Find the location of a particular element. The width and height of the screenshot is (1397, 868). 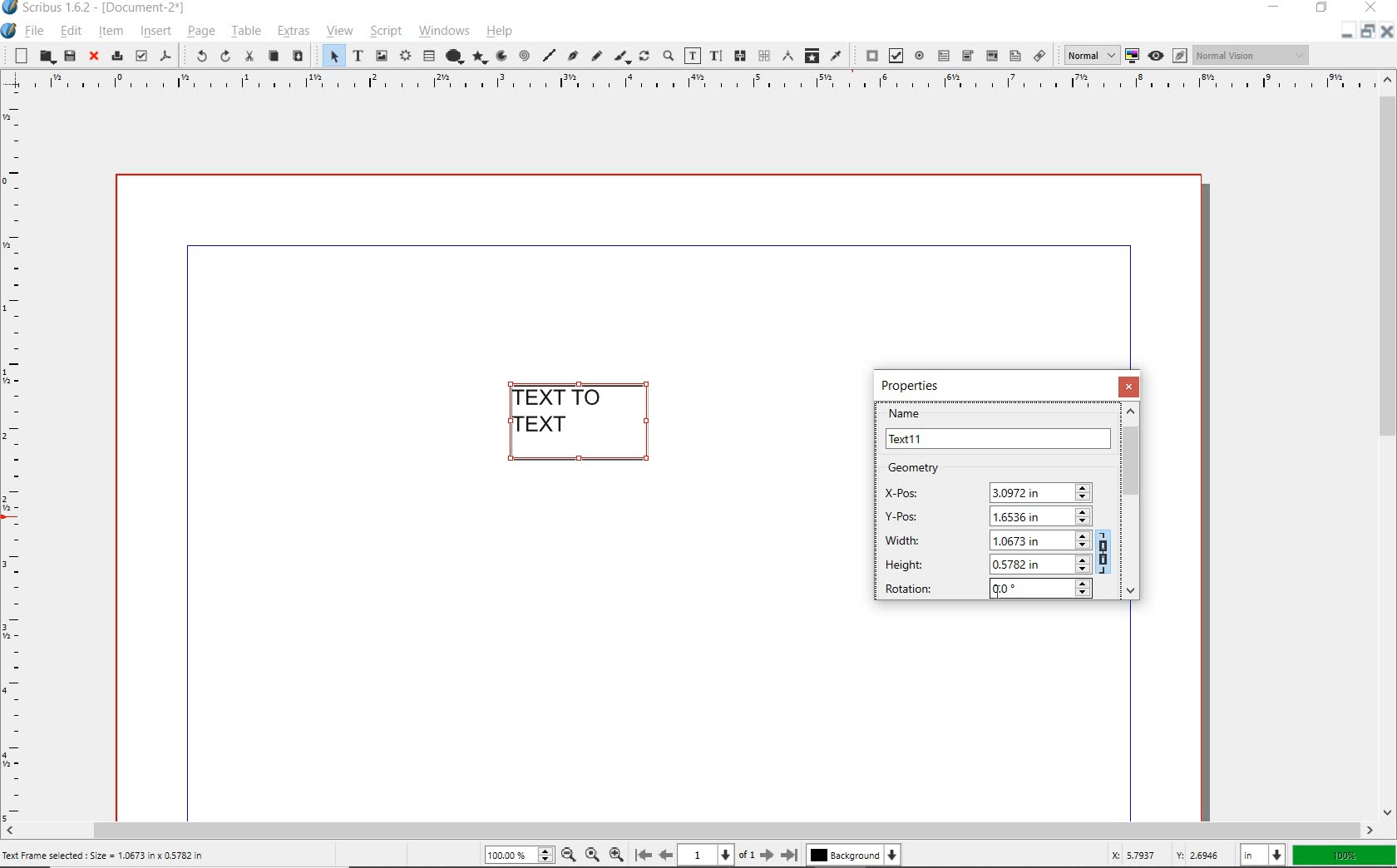

background is located at coordinates (857, 857).